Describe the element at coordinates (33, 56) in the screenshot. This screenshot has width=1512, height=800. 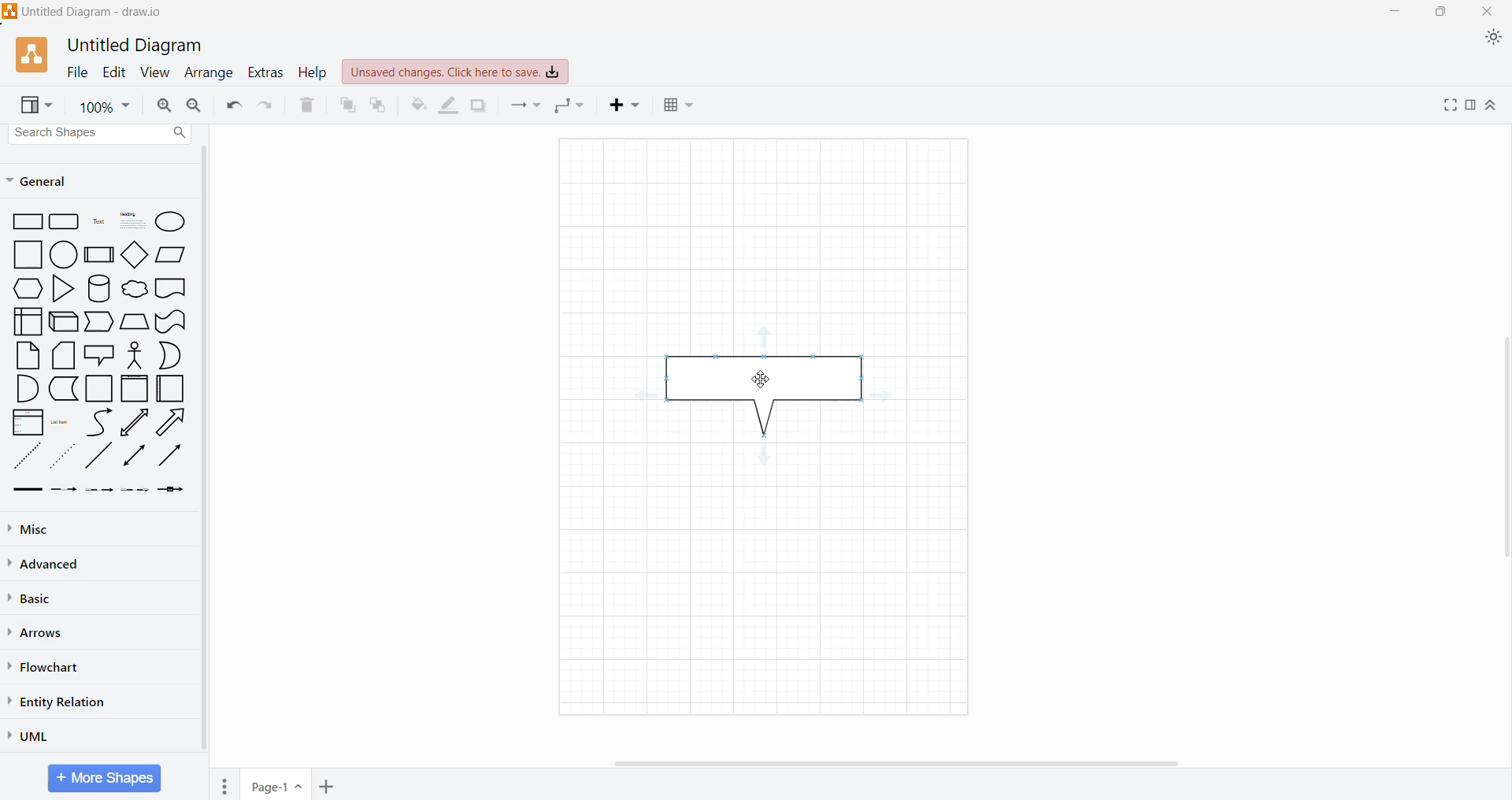
I see `Application Logo` at that location.